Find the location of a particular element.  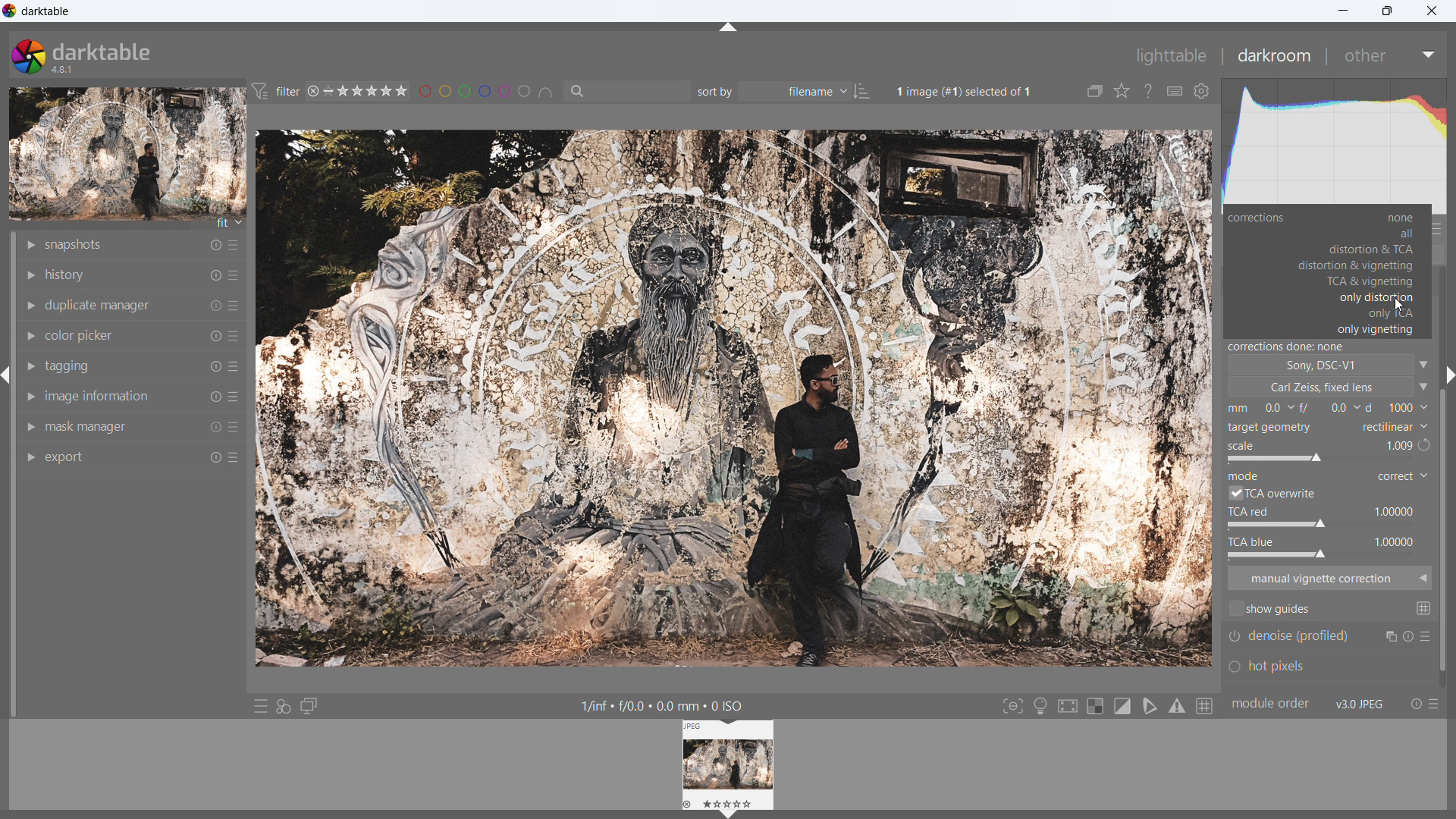

reset is located at coordinates (215, 275).